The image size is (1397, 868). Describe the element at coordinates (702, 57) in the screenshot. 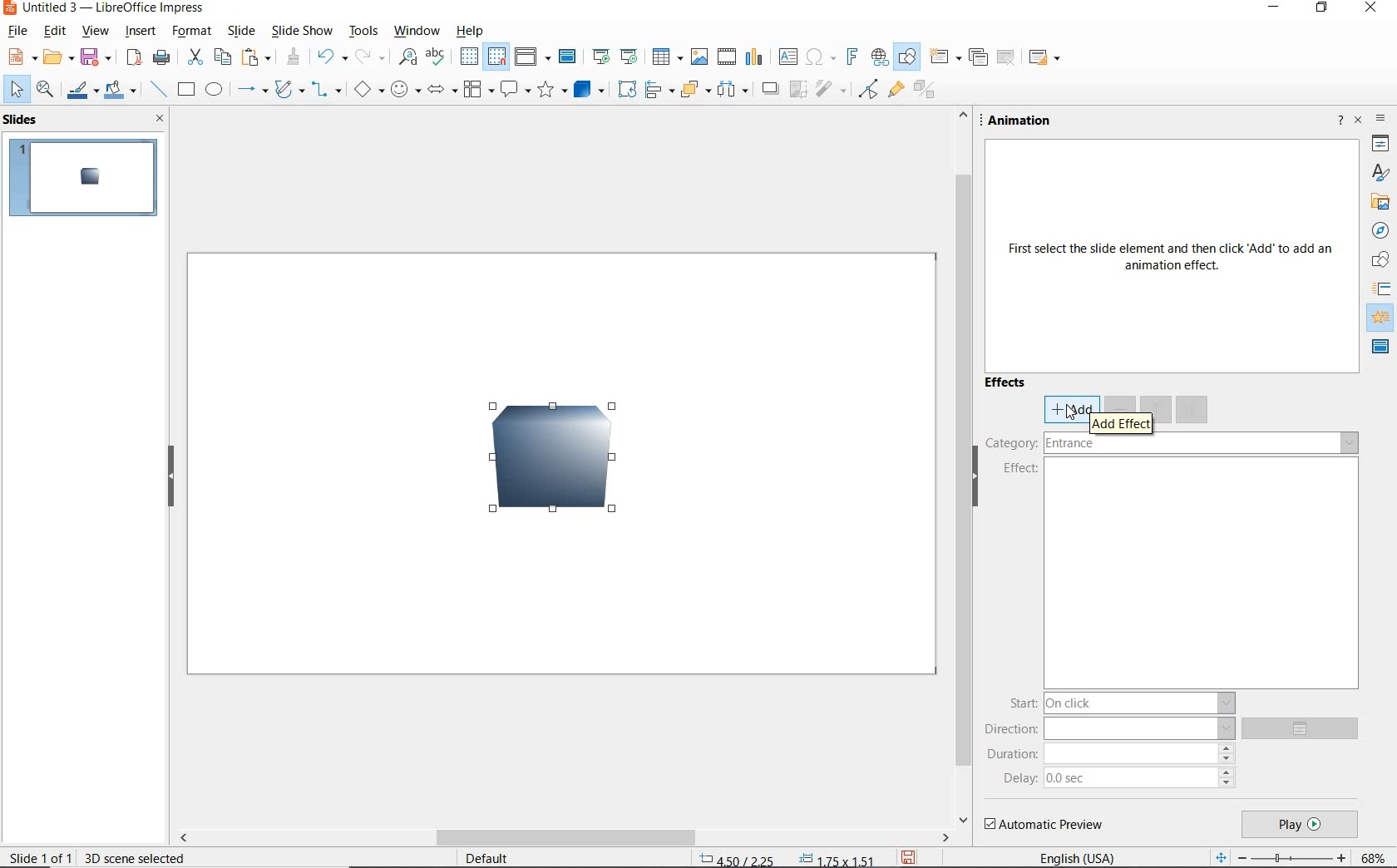

I see `insert image` at that location.